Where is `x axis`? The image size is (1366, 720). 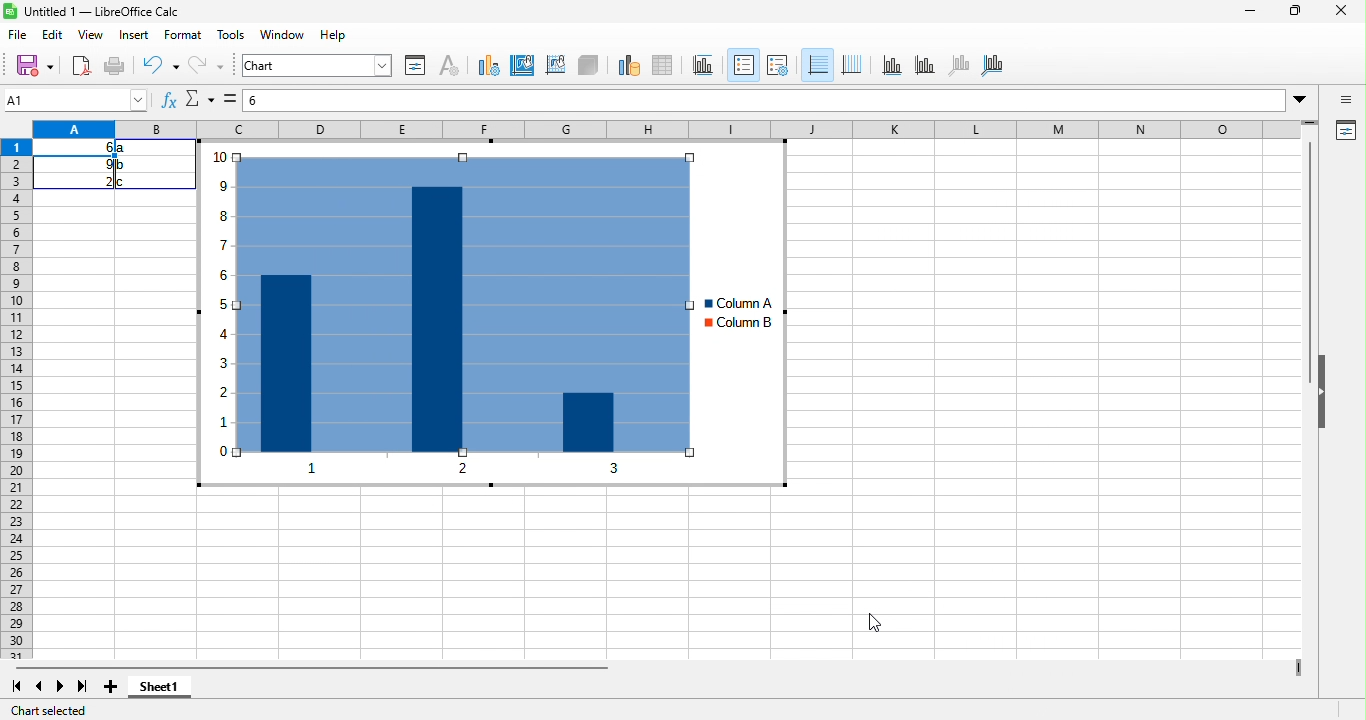
x axis is located at coordinates (891, 64).